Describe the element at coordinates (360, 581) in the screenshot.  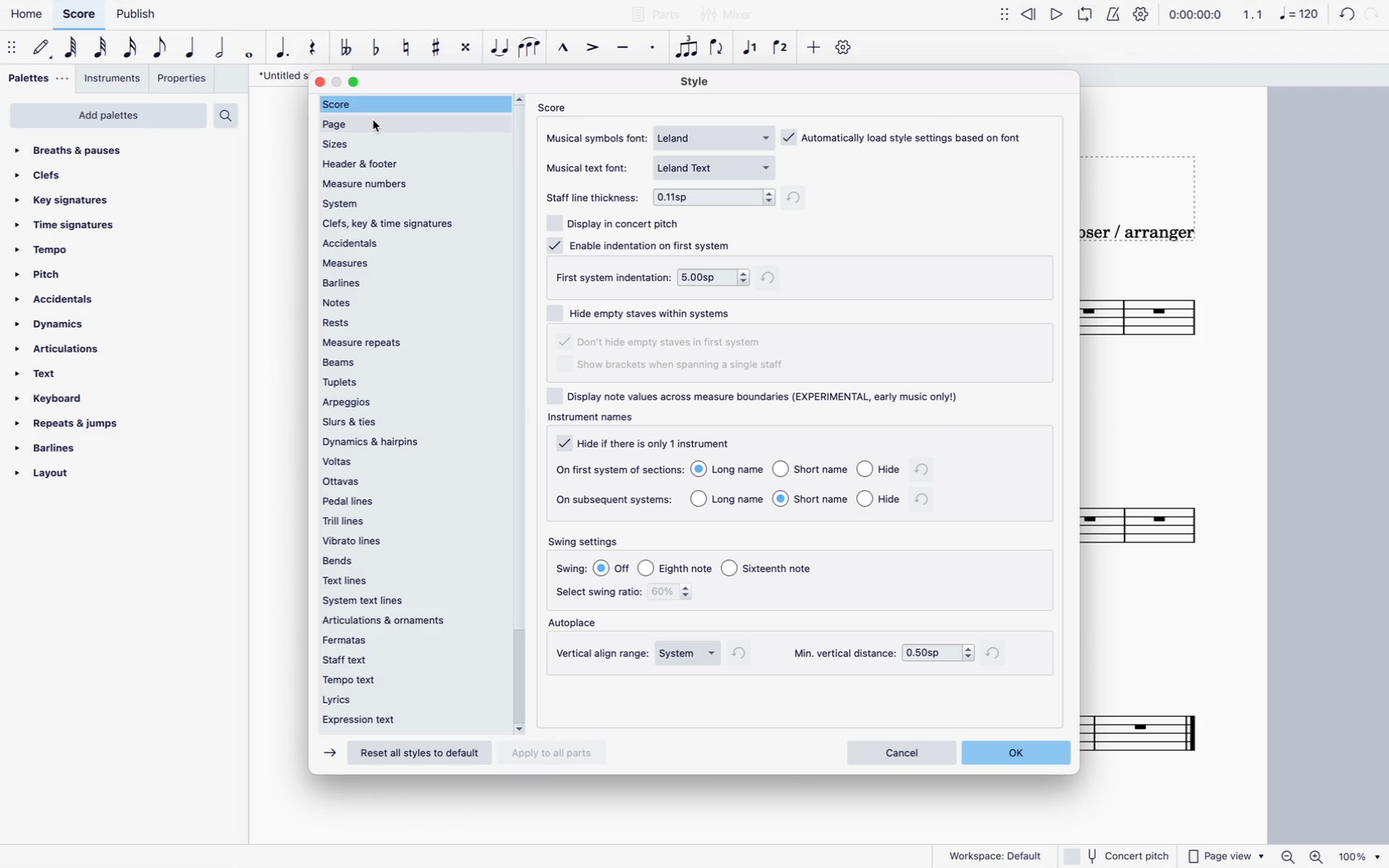
I see `text lines` at that location.